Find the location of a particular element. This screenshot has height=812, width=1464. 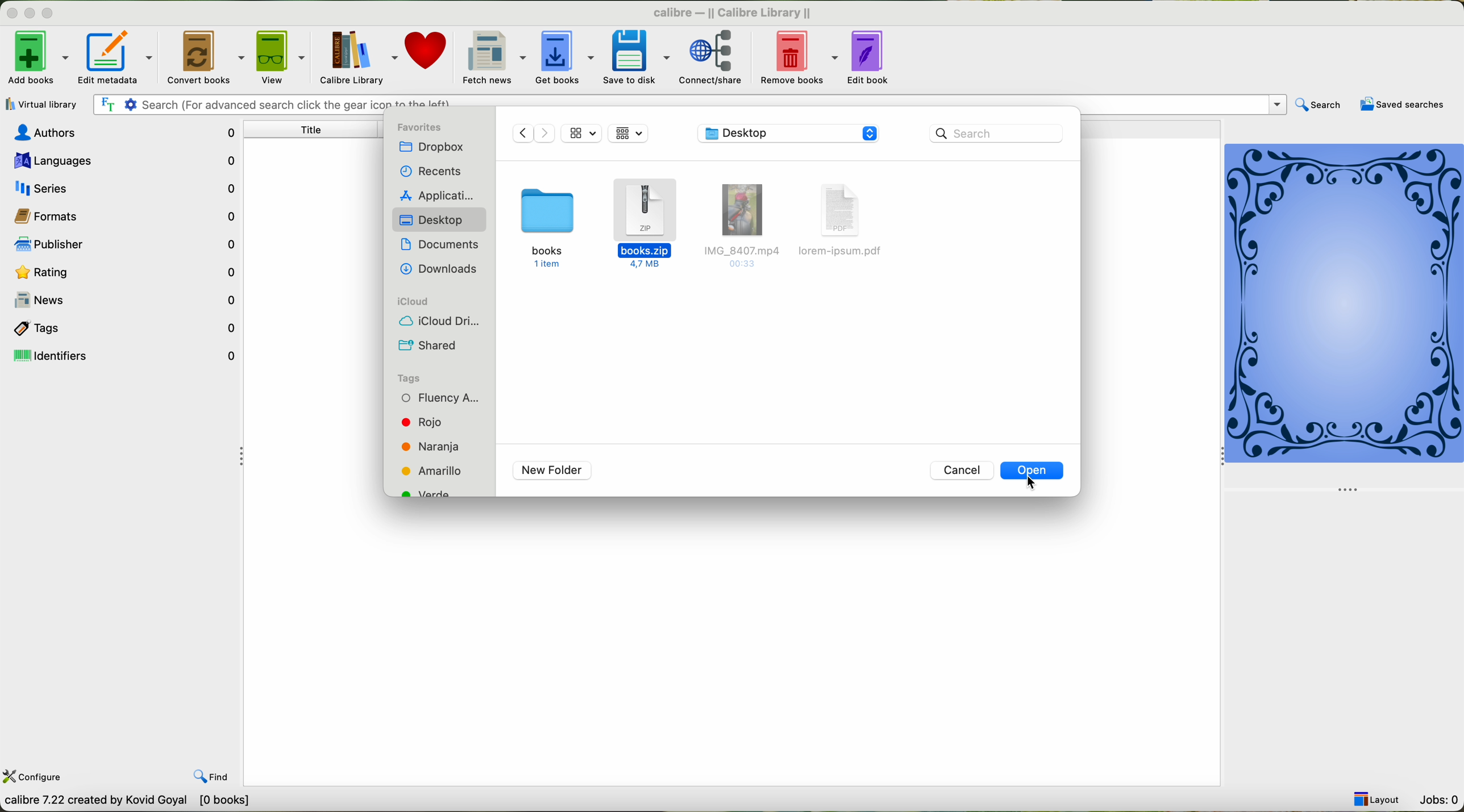

publisher is located at coordinates (120, 244).